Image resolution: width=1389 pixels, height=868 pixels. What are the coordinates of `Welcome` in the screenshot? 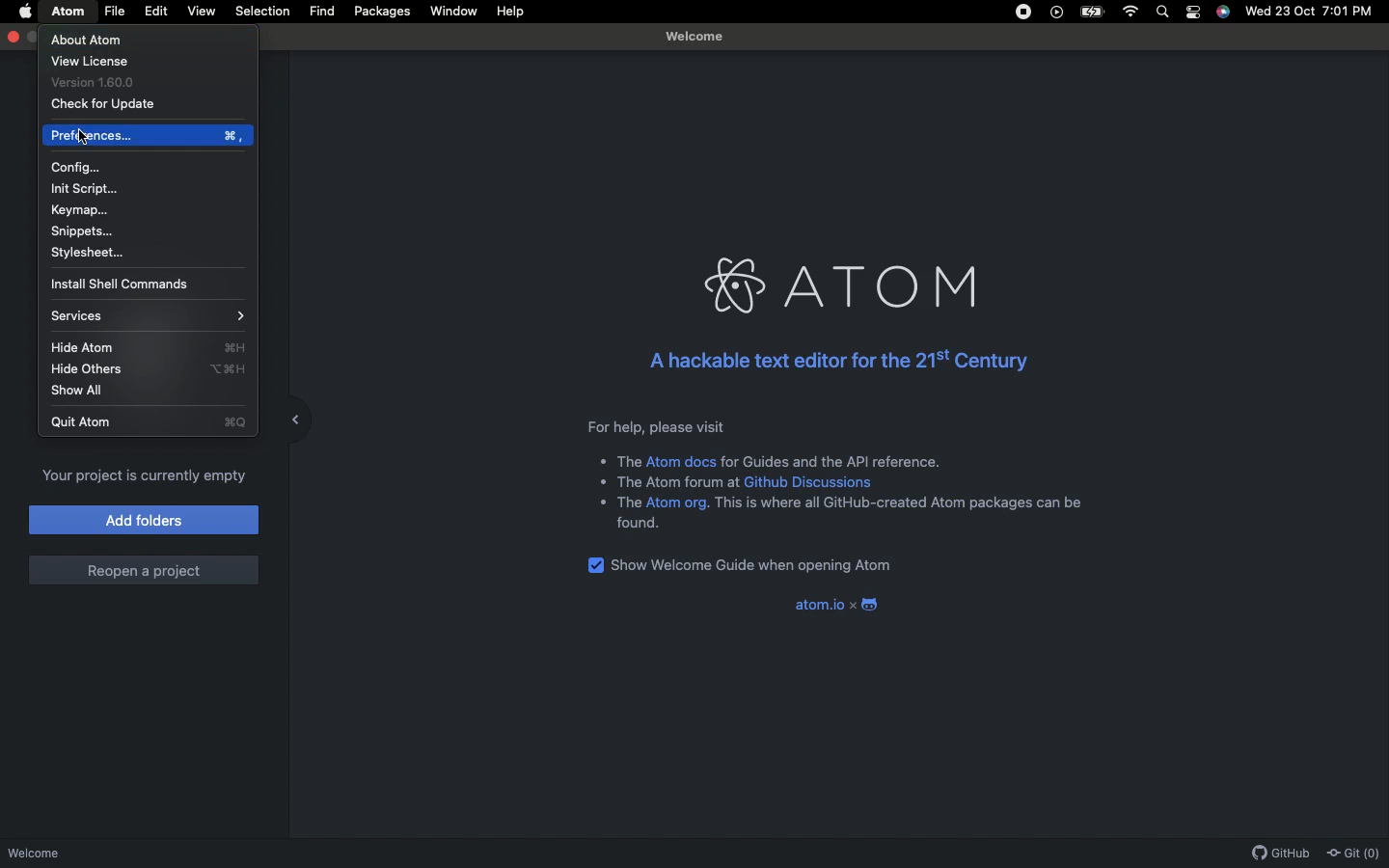 It's located at (35, 854).